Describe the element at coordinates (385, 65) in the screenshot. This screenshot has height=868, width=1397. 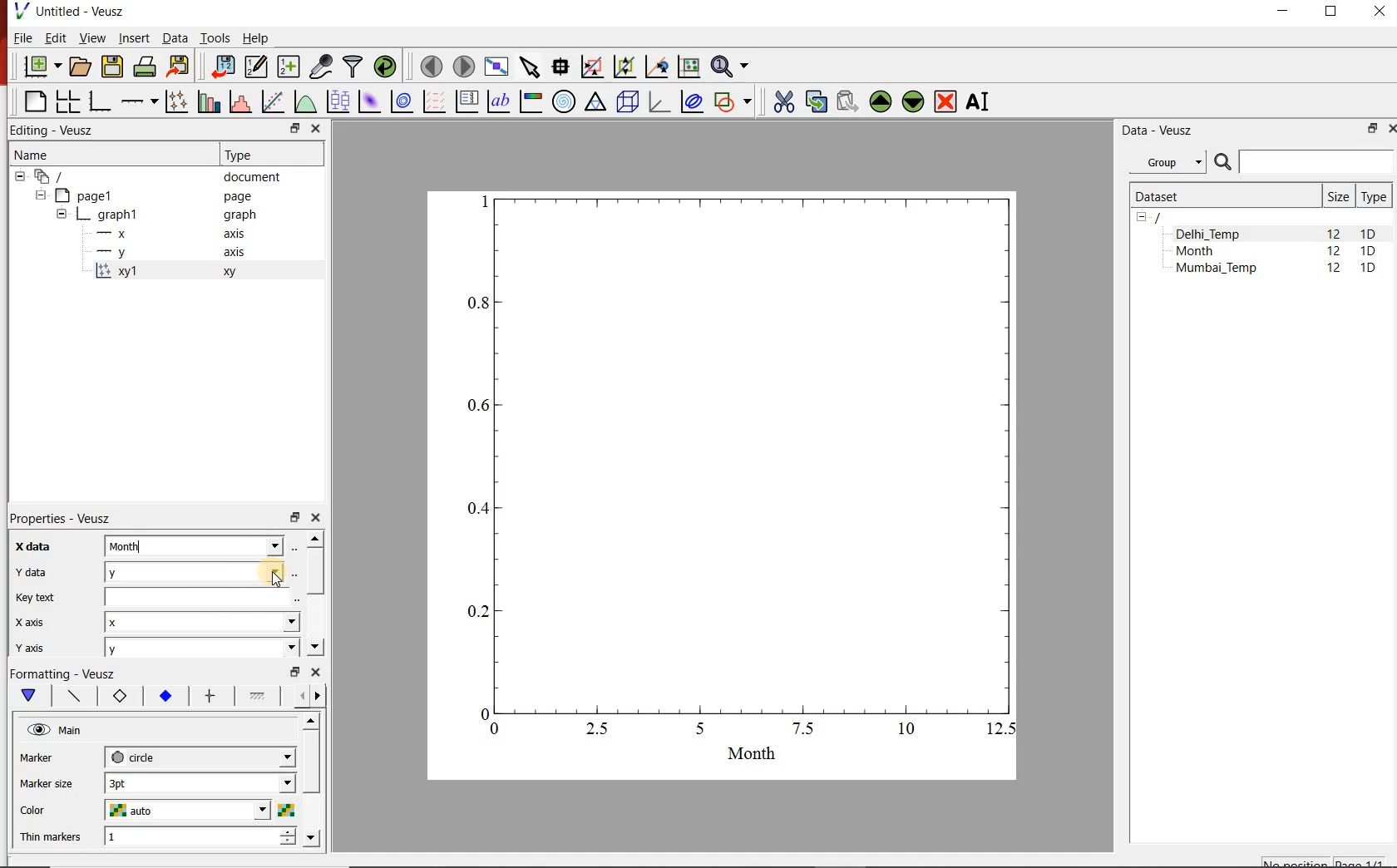
I see `reload linked datasets` at that location.